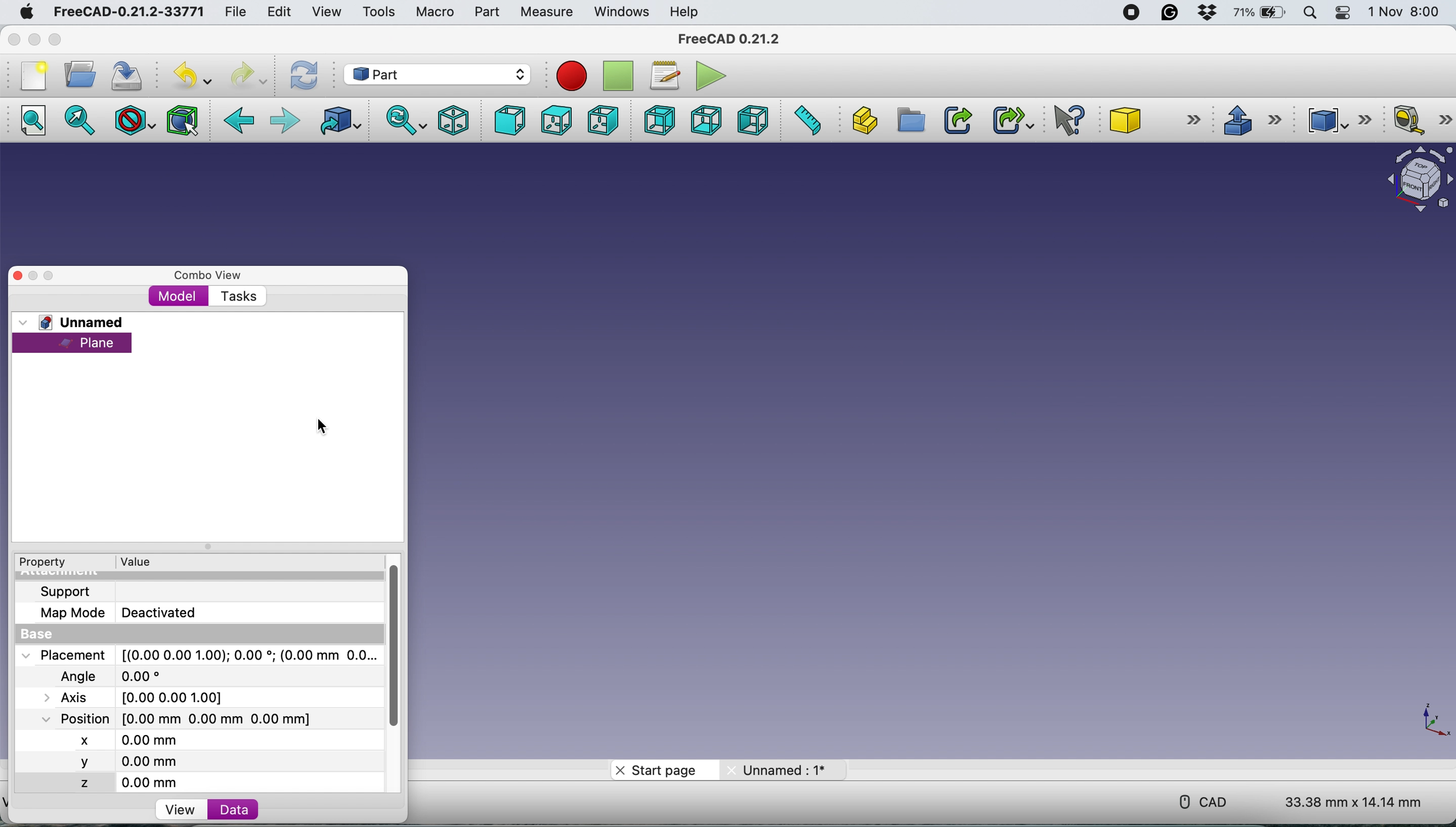 This screenshot has height=827, width=1456. Describe the element at coordinates (52, 272) in the screenshot. I see `maximise` at that location.